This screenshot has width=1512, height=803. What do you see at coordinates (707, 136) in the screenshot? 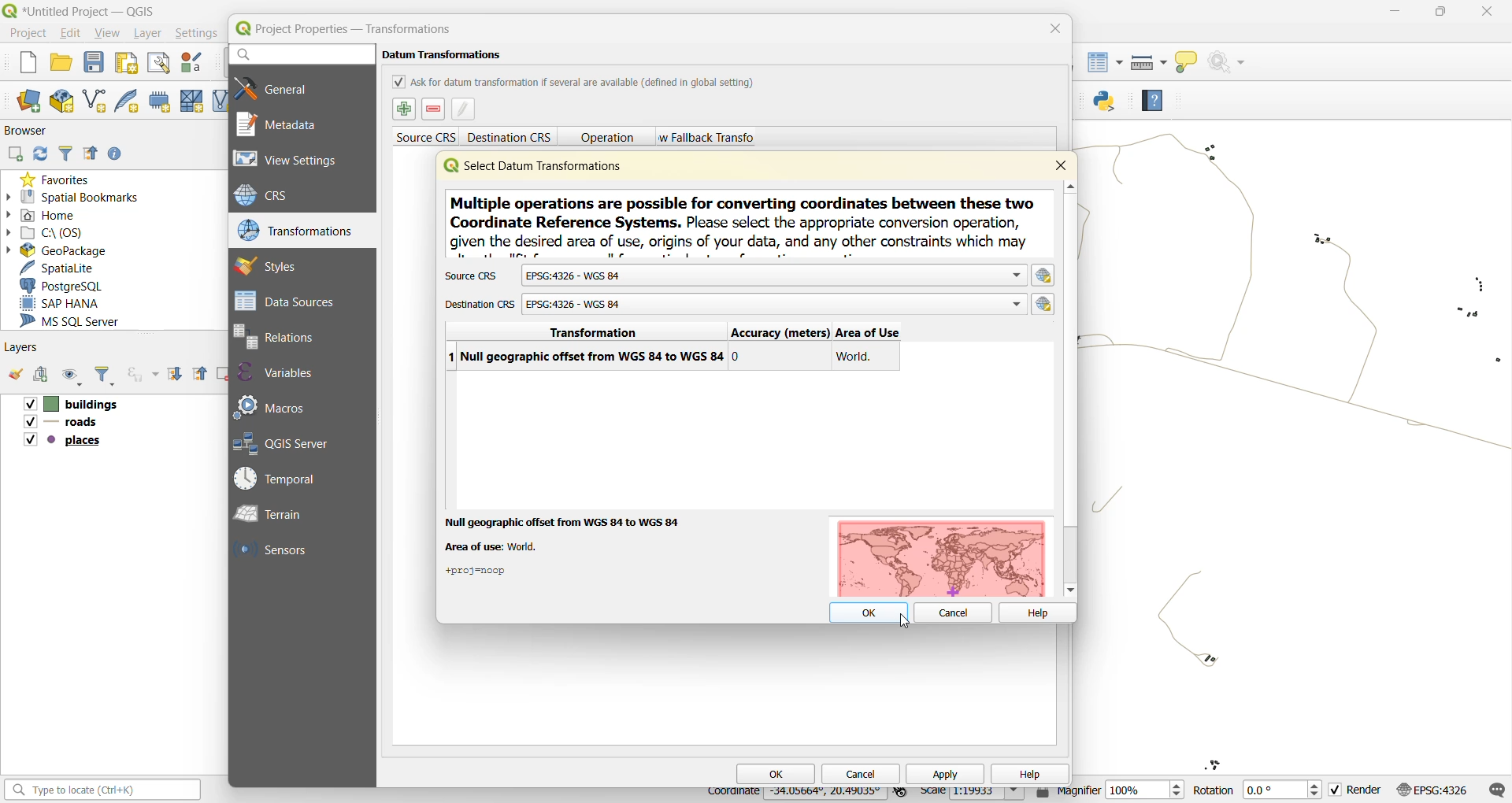
I see `allow fallback transforms` at bounding box center [707, 136].